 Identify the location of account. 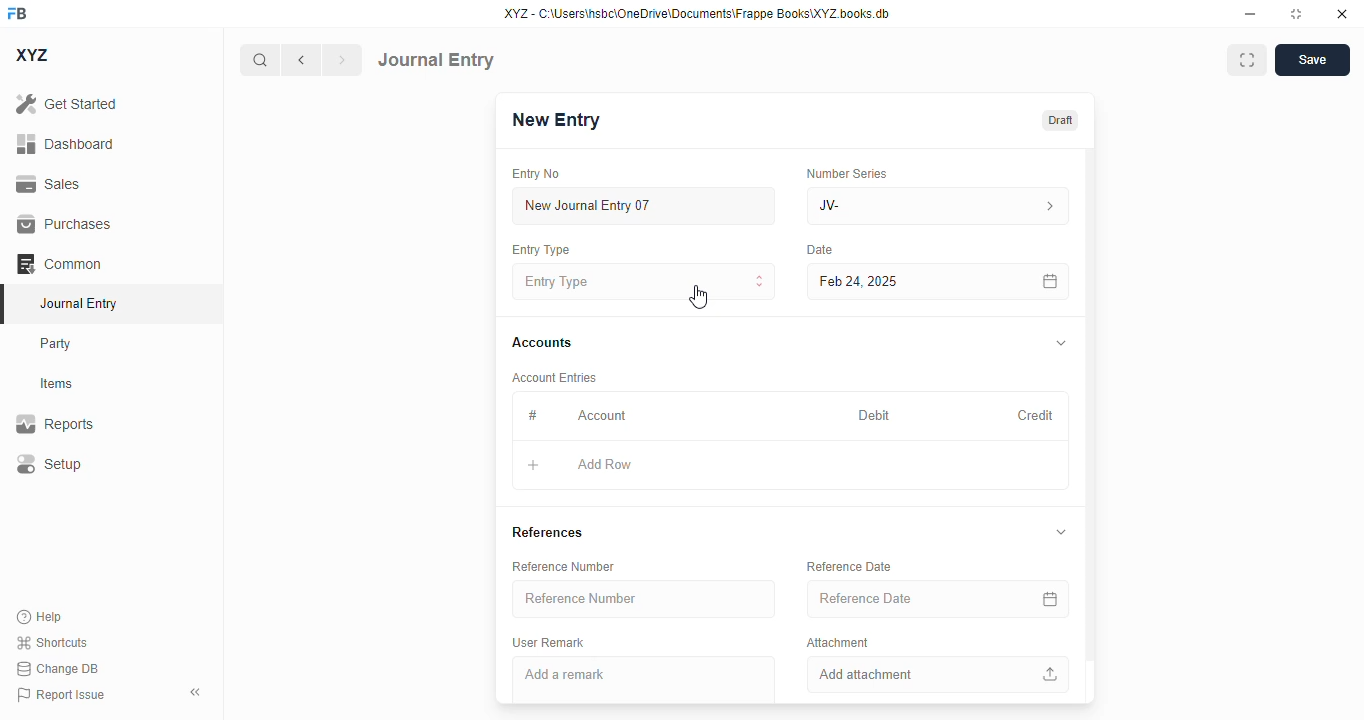
(602, 416).